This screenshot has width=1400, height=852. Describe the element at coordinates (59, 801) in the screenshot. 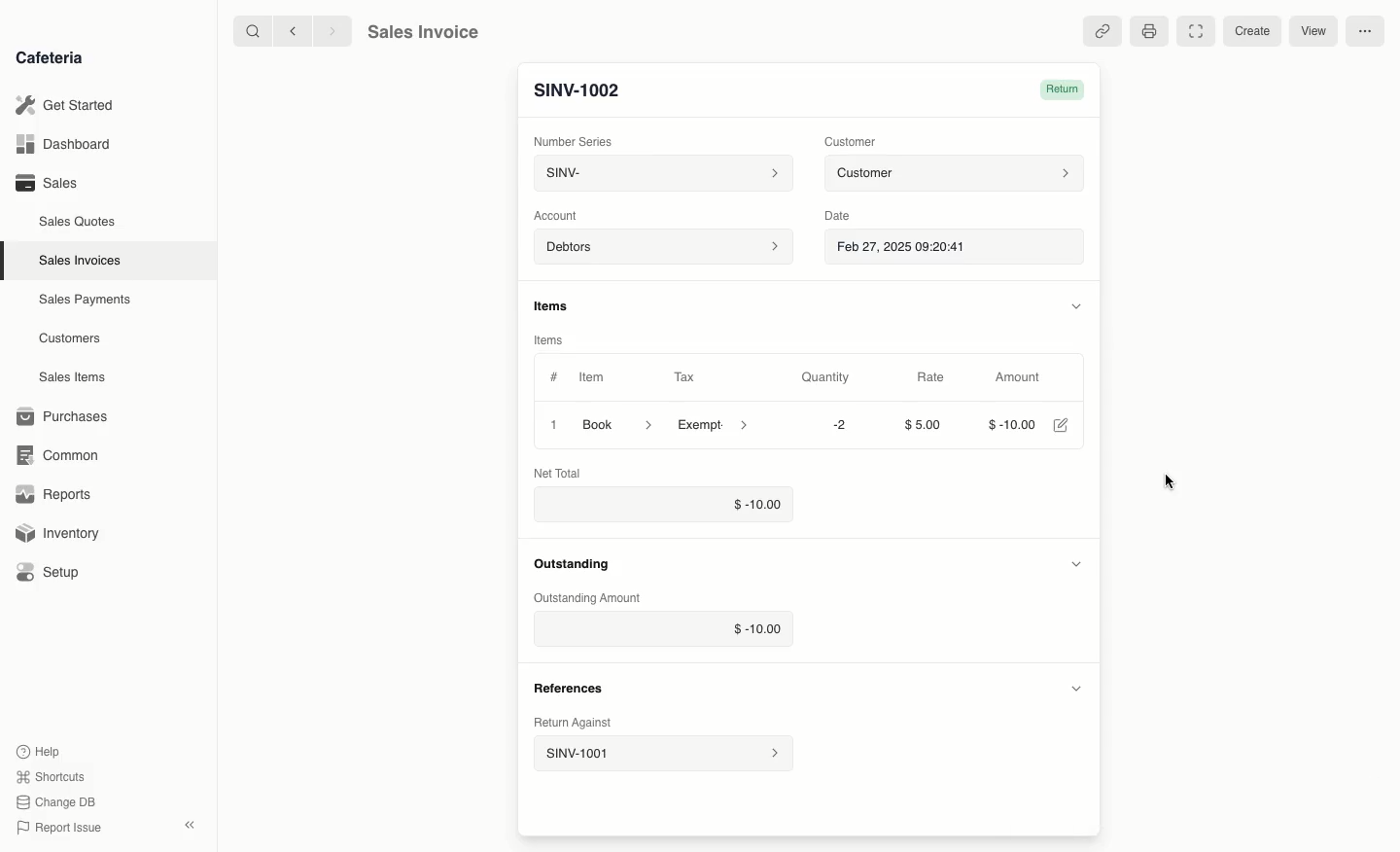

I see `Change DB` at that location.